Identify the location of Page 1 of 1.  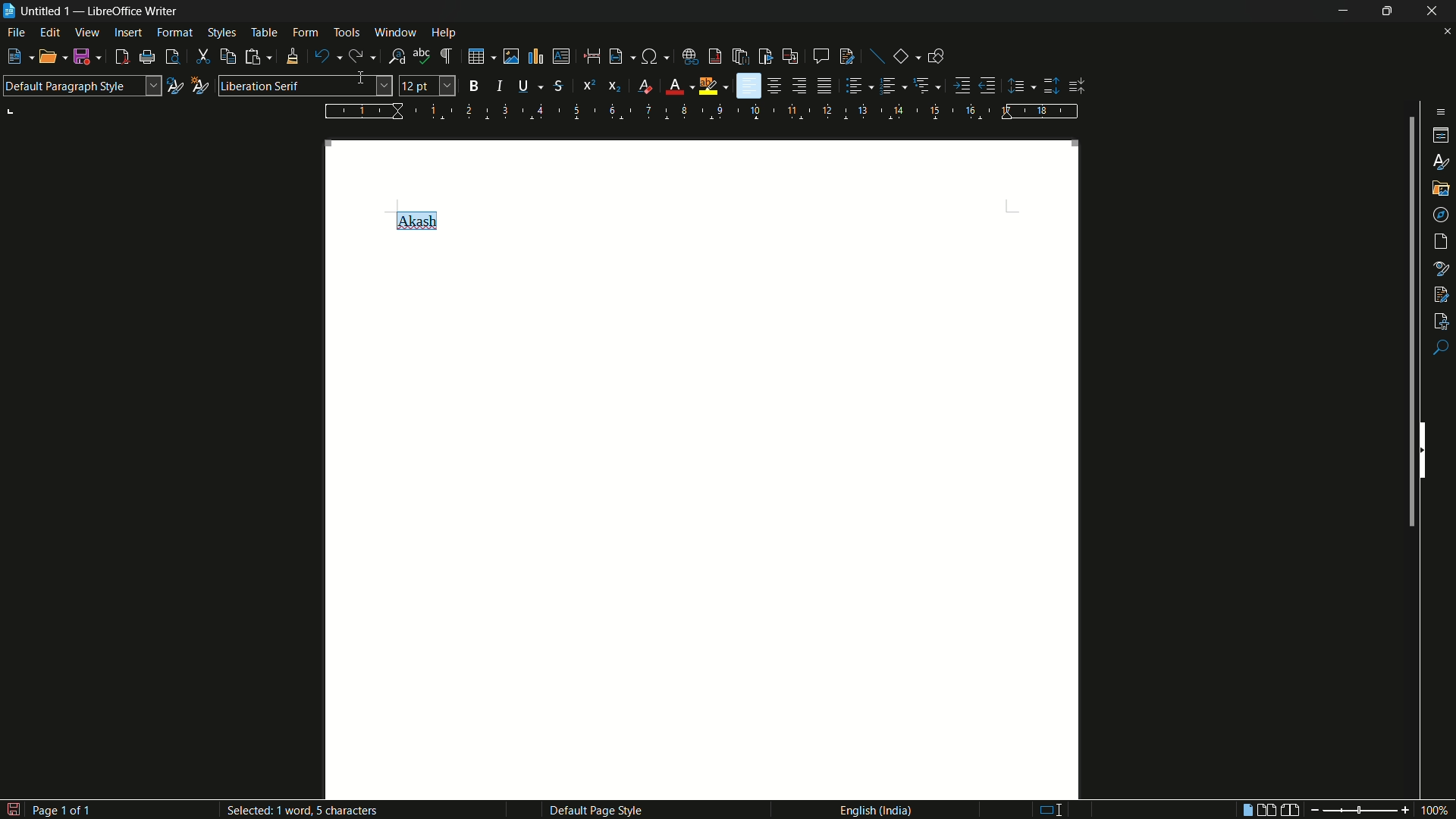
(53, 808).